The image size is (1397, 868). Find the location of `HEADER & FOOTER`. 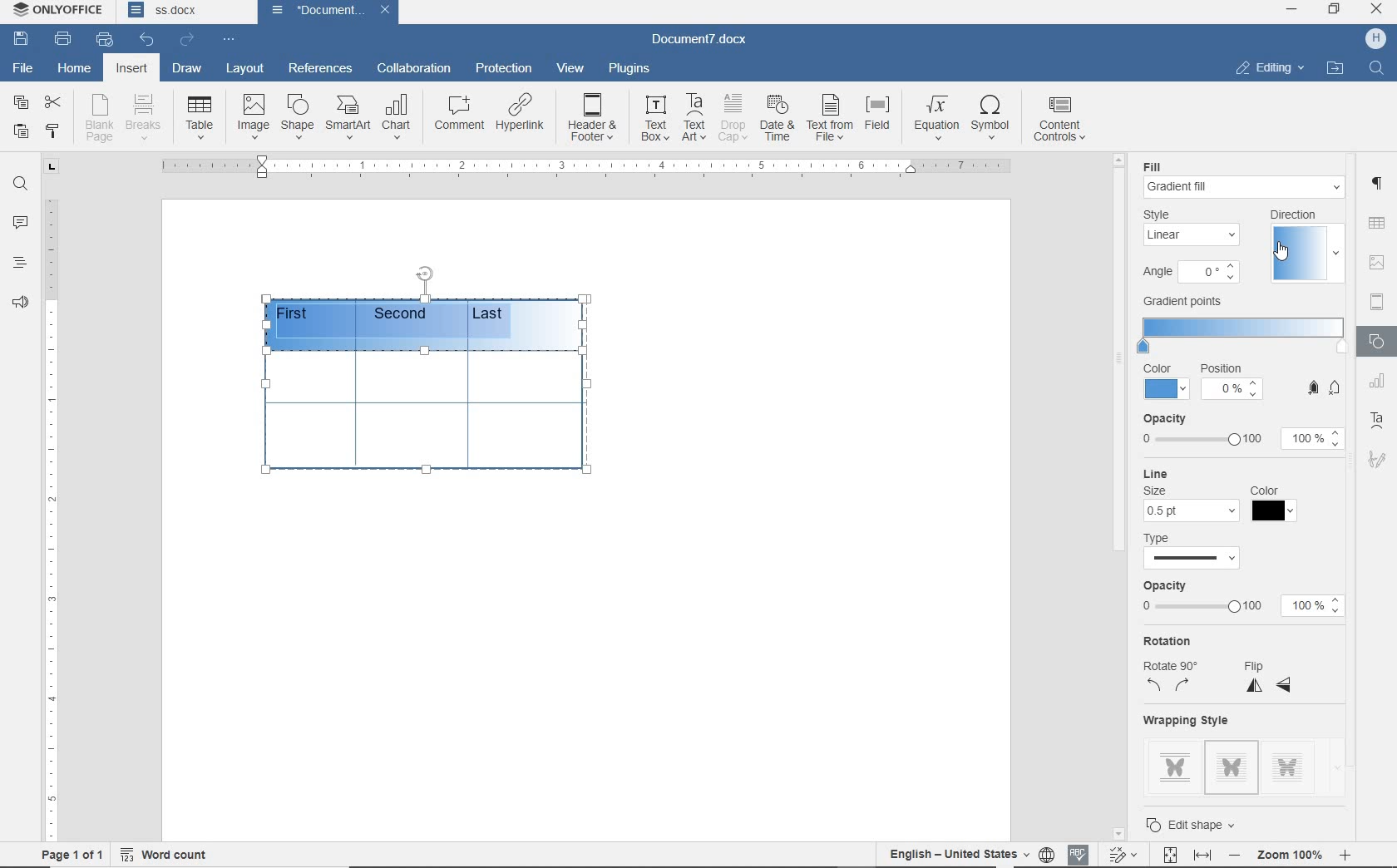

HEADER & FOOTER is located at coordinates (1376, 303).